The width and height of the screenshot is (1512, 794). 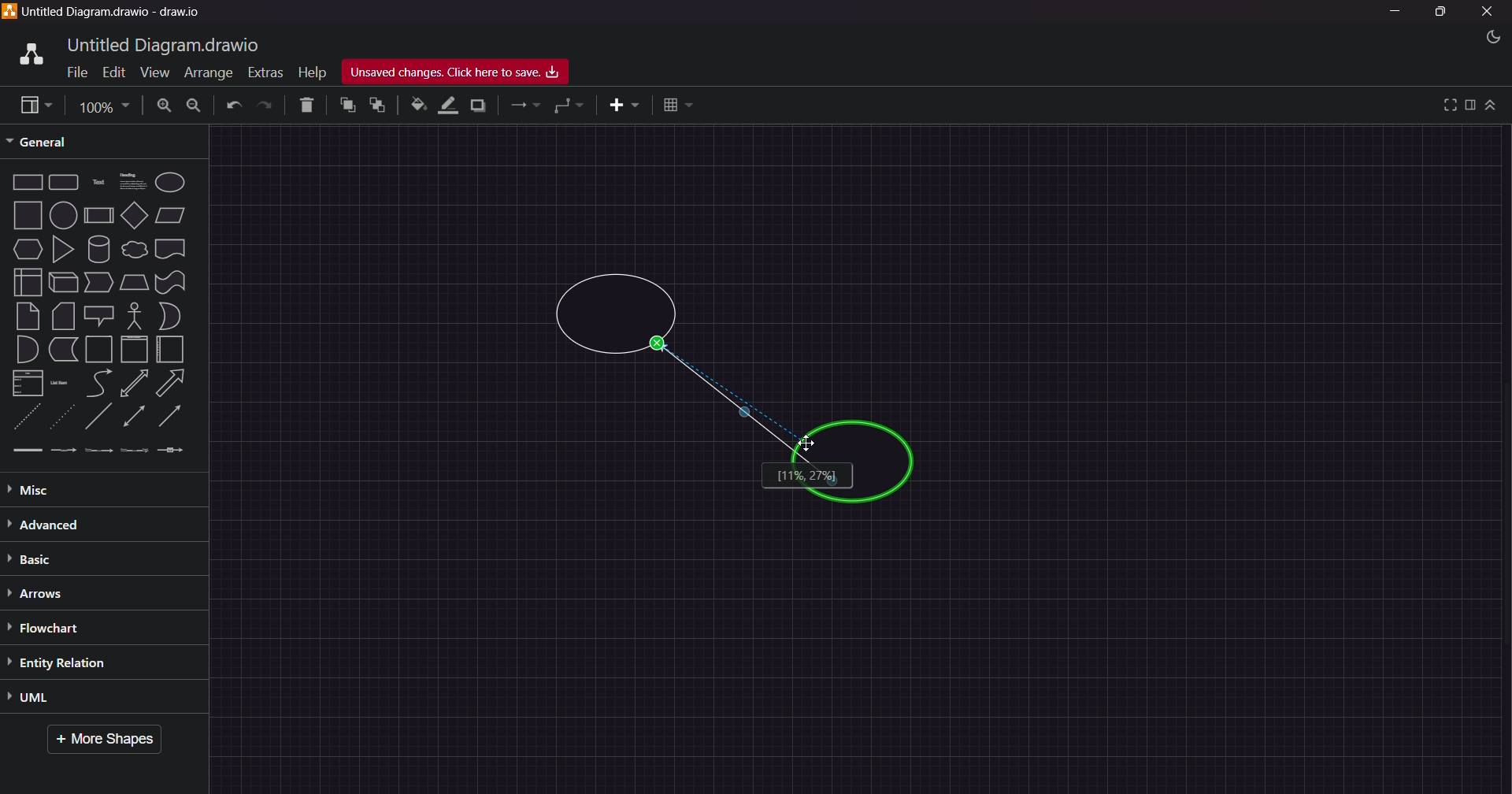 I want to click on Zoom Out, so click(x=195, y=107).